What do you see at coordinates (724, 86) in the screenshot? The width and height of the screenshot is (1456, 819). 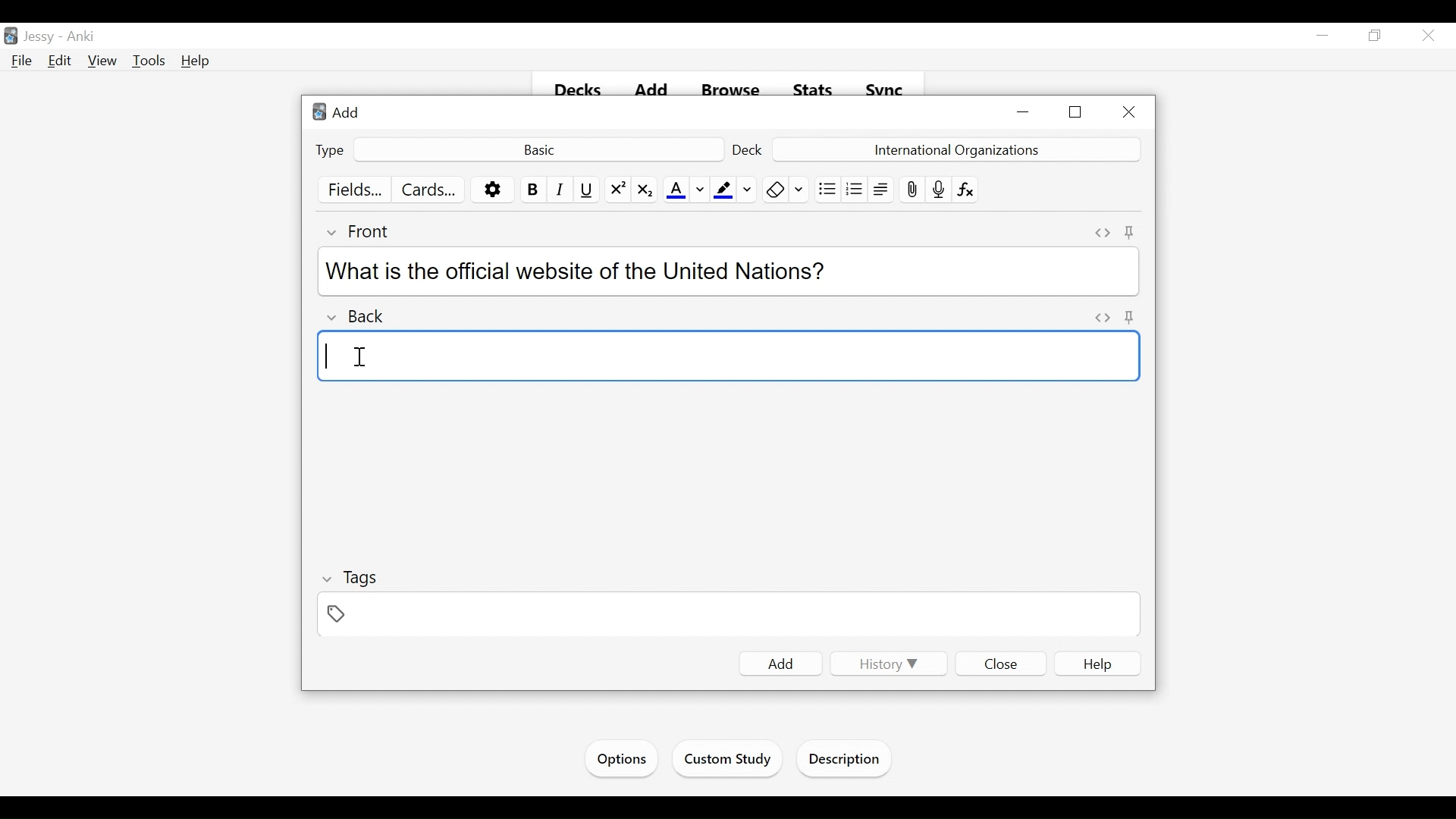 I see `Browse` at bounding box center [724, 86].